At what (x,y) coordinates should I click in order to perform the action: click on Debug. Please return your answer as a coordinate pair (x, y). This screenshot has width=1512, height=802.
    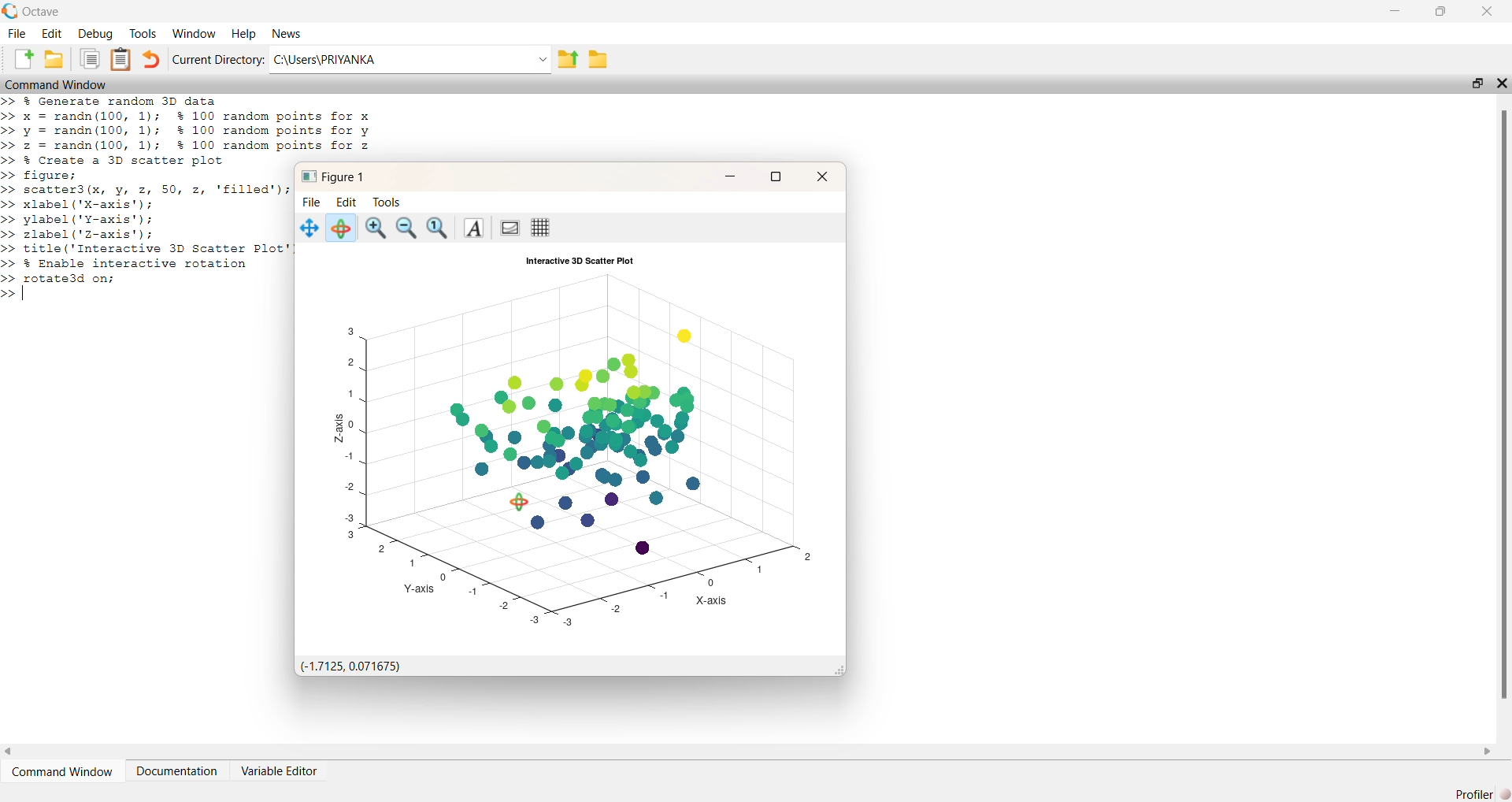
    Looking at the image, I should click on (96, 34).